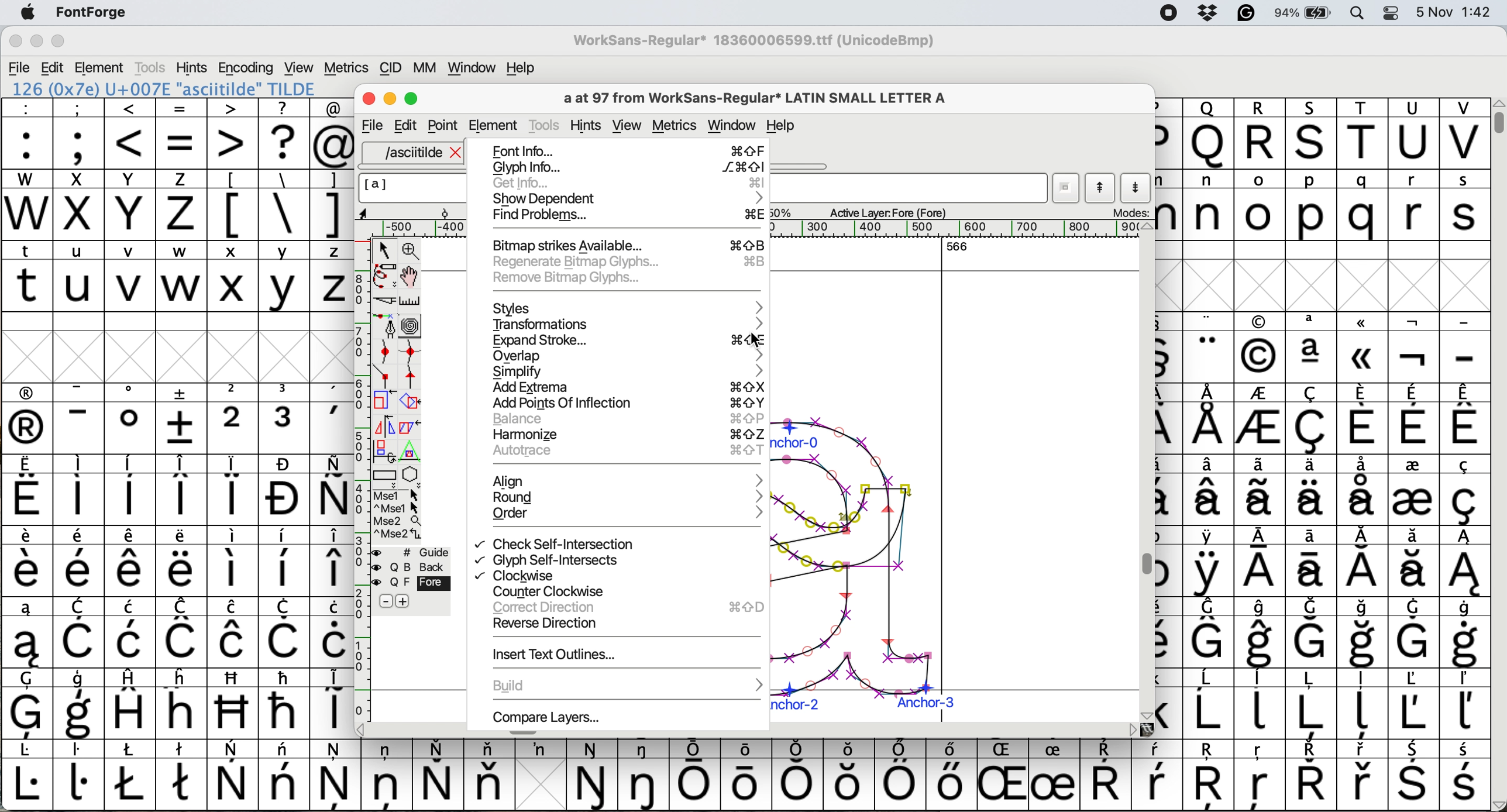  Describe the element at coordinates (1412, 703) in the screenshot. I see `symbol` at that location.